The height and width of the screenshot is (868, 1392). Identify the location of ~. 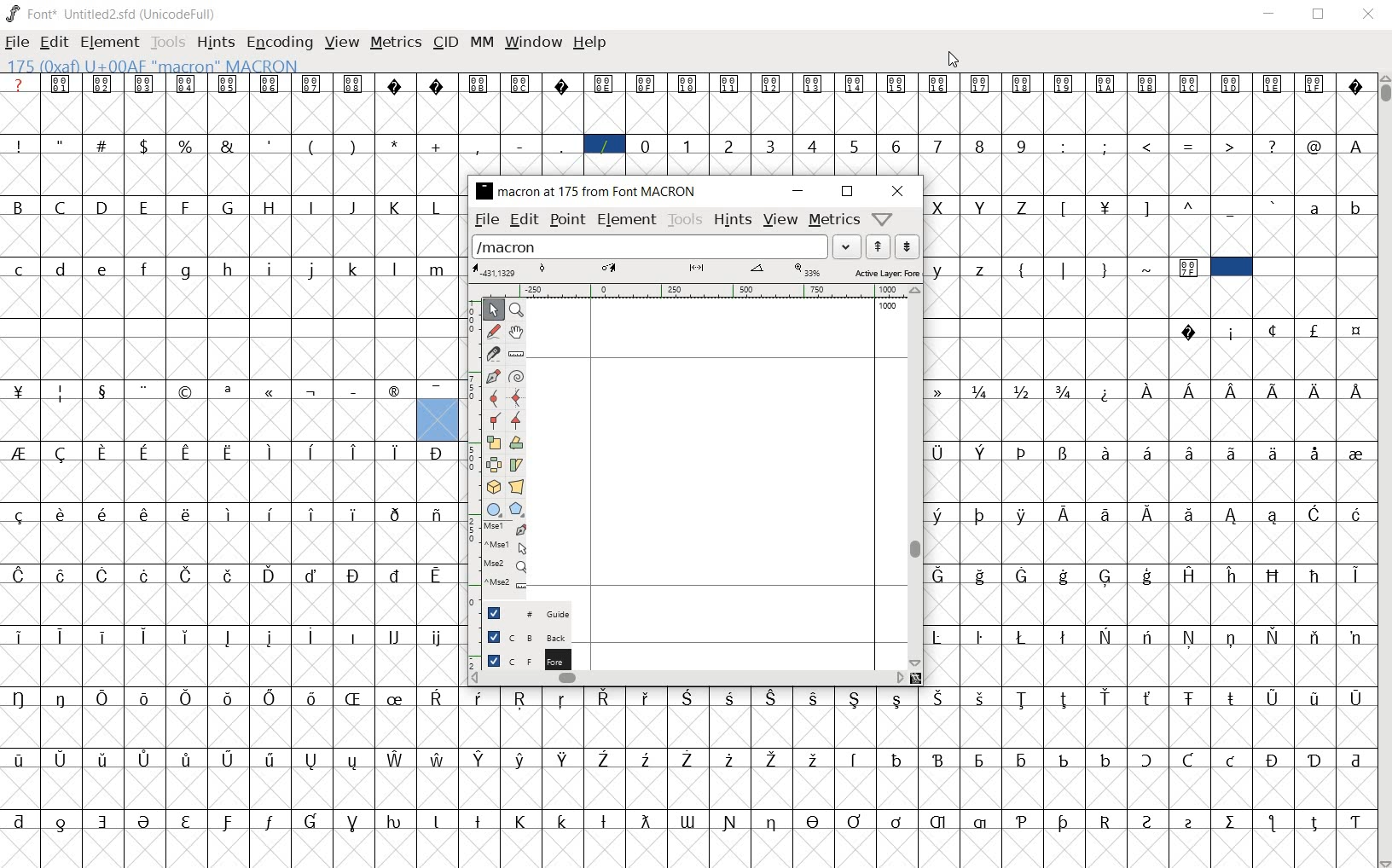
(1149, 266).